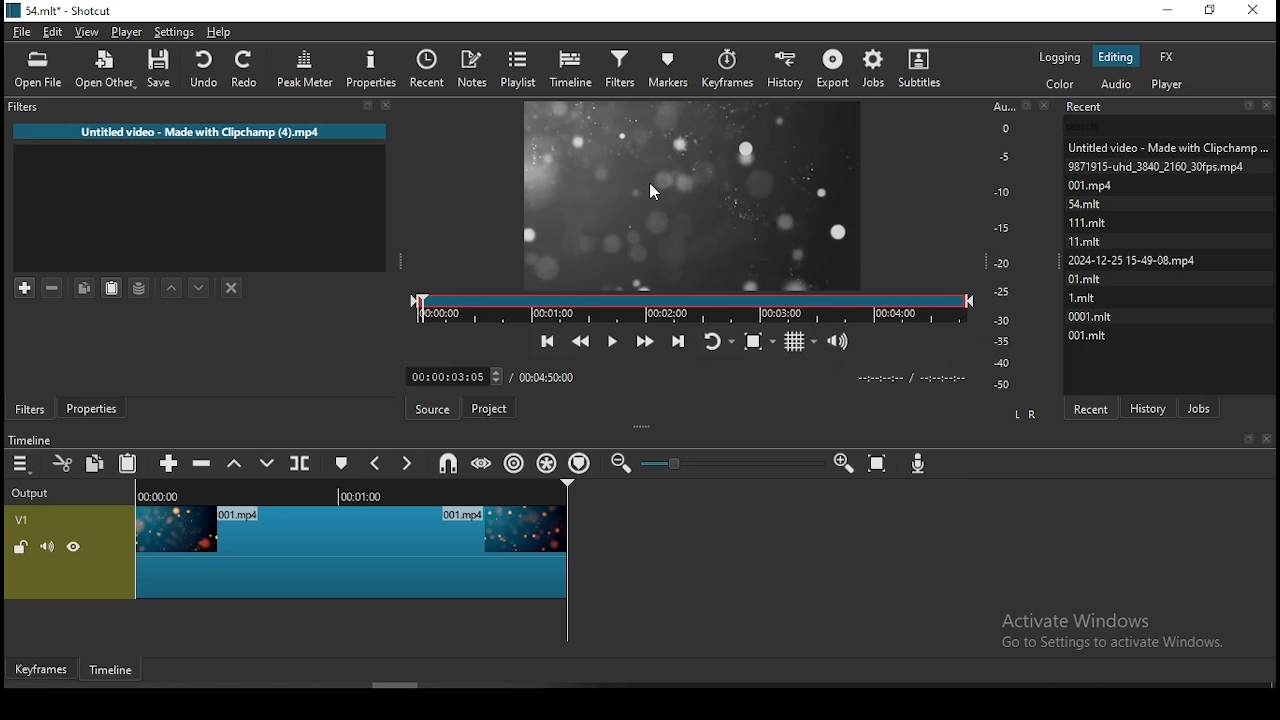 The height and width of the screenshot is (720, 1280). I want to click on snap, so click(450, 462).